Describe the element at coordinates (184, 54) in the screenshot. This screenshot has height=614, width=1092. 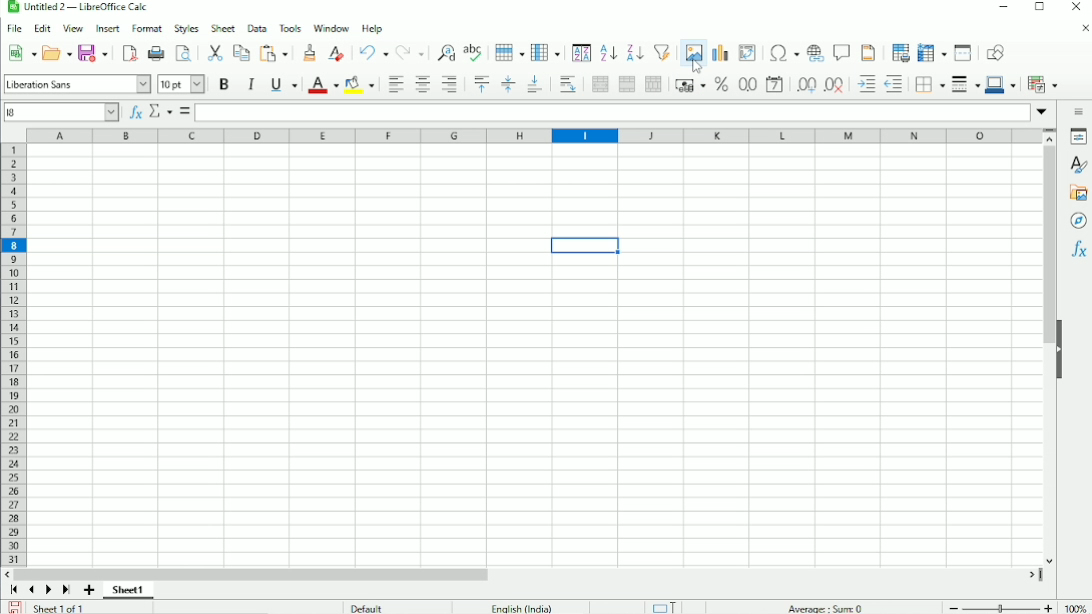
I see `Toggle print preview` at that location.